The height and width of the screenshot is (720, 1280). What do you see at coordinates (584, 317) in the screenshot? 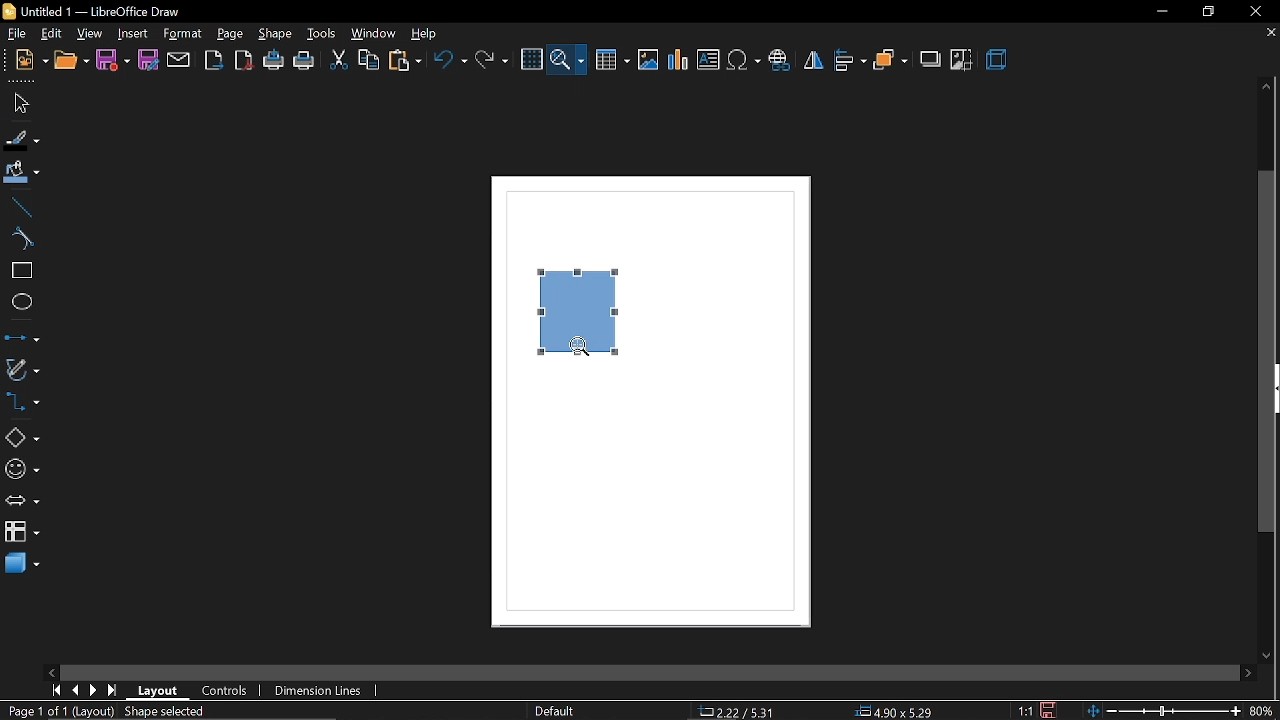
I see `Current shape` at bounding box center [584, 317].